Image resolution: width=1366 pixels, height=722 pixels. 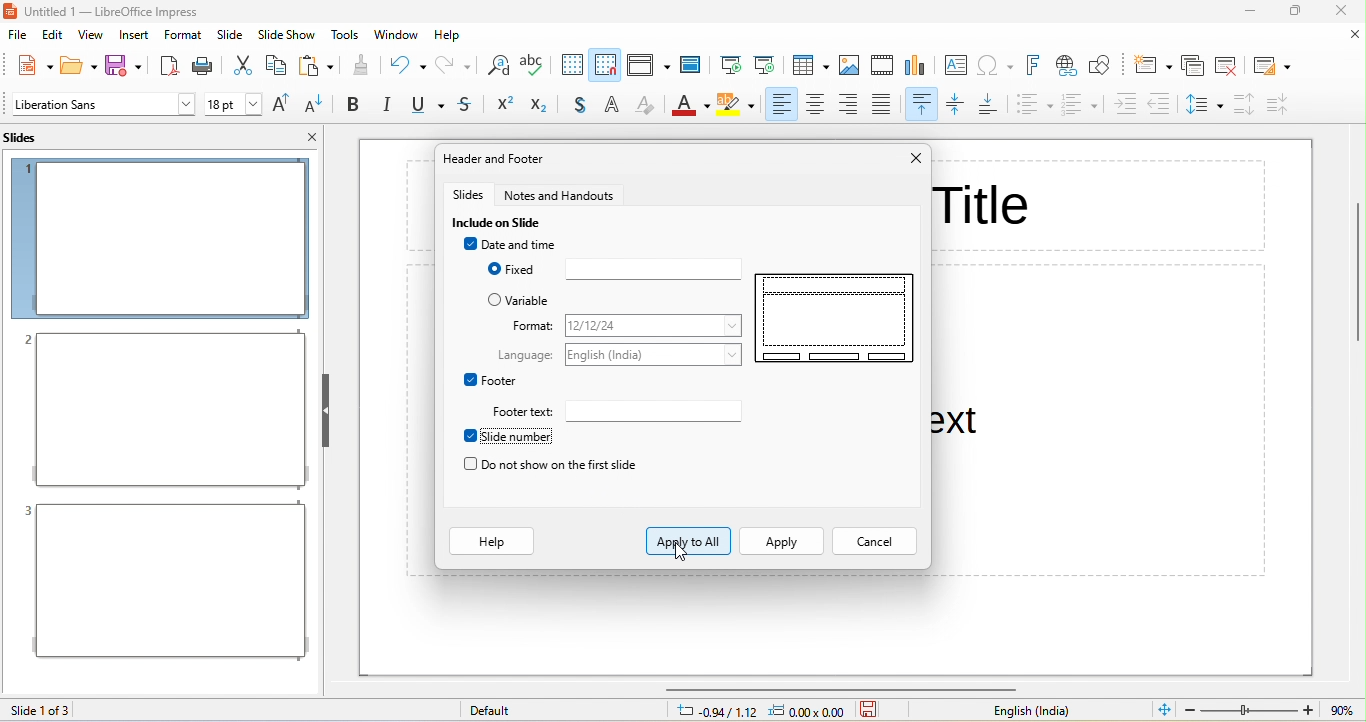 I want to click on text language, so click(x=1040, y=711).